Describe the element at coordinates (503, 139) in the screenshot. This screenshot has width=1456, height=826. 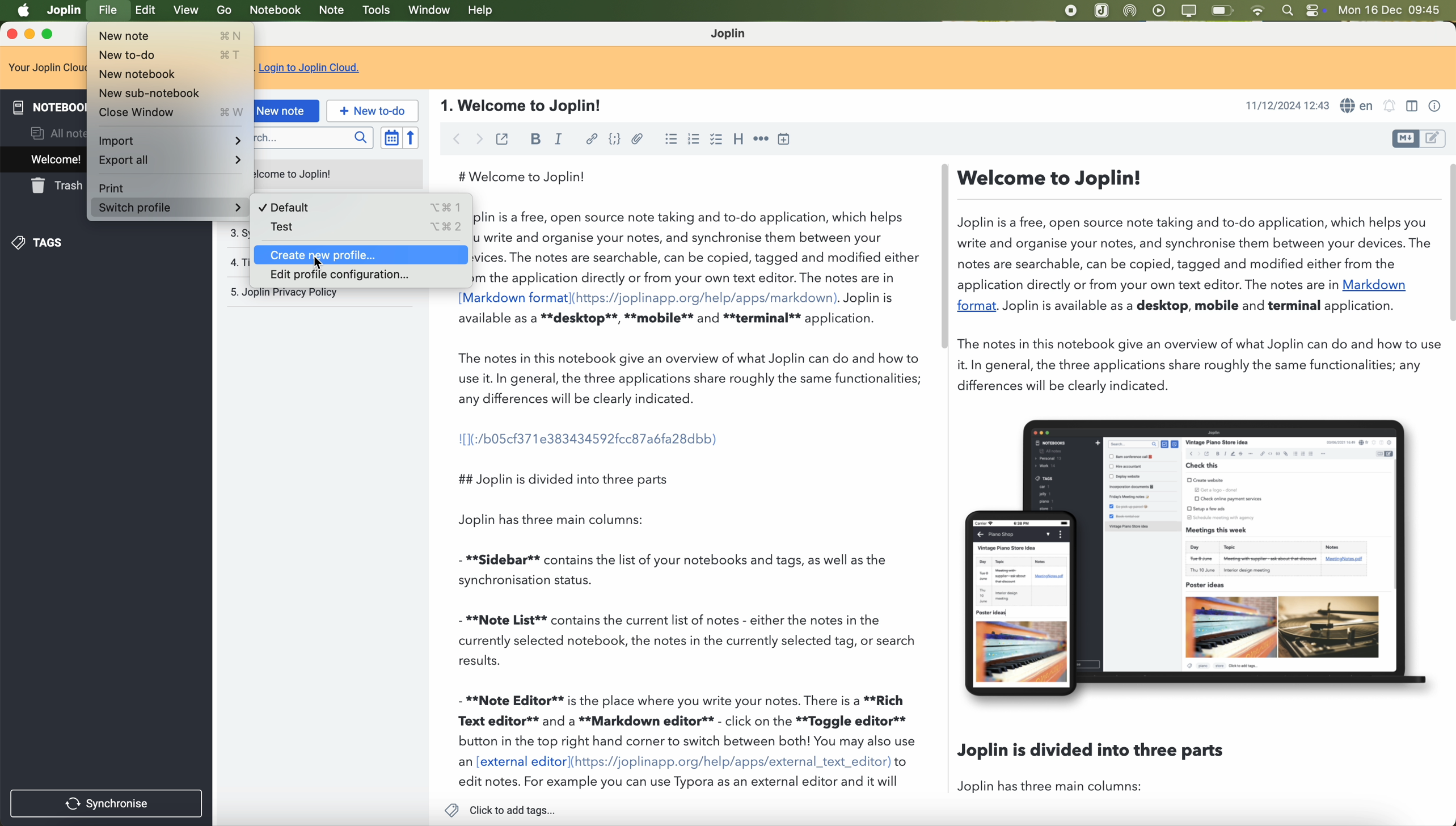
I see `toggle external editing` at that location.